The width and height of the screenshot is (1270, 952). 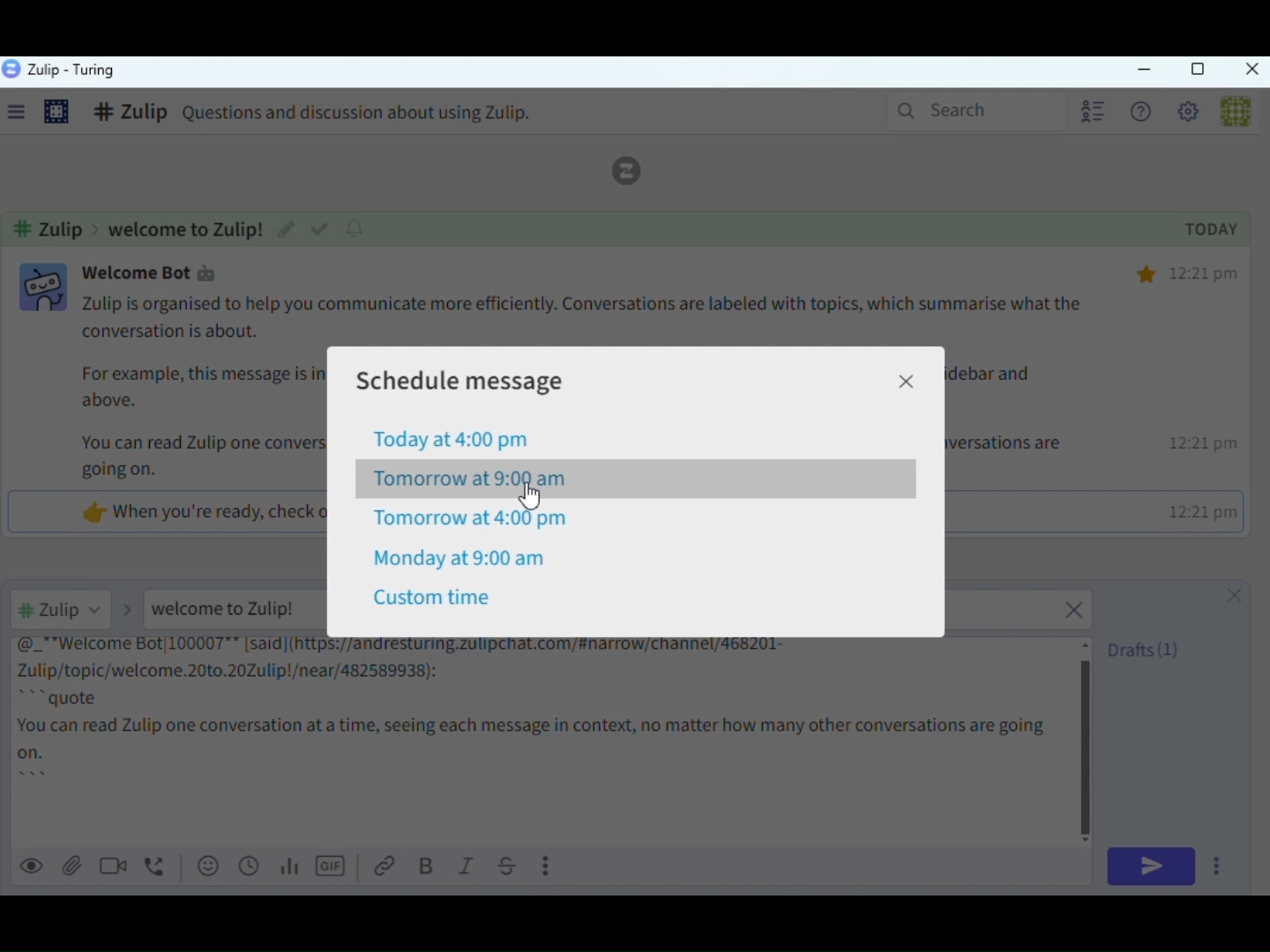 I want to click on Tomorrow at 9:00am, so click(x=470, y=480).